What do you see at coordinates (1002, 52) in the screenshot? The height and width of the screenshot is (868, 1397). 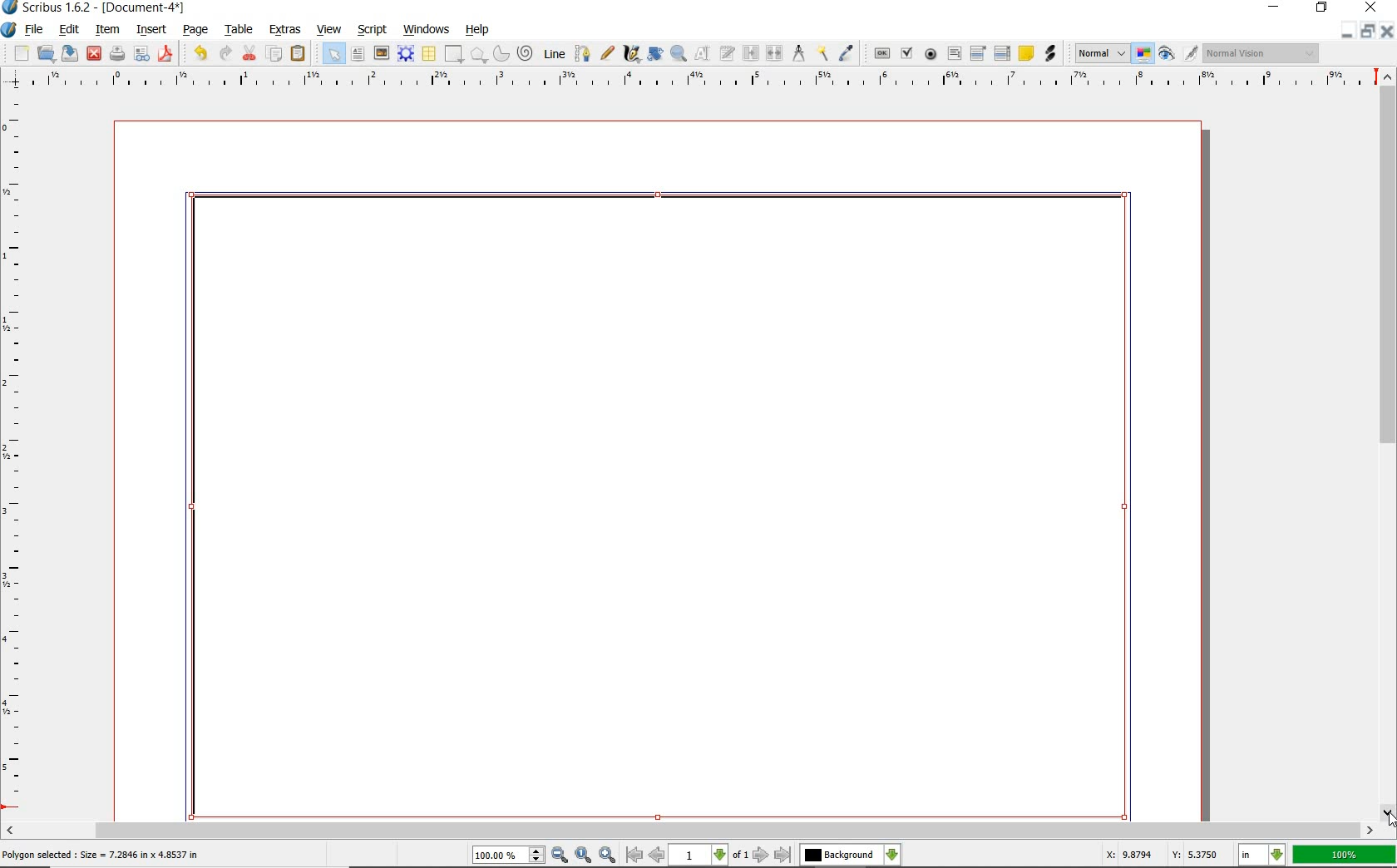 I see `pdf list box` at bounding box center [1002, 52].